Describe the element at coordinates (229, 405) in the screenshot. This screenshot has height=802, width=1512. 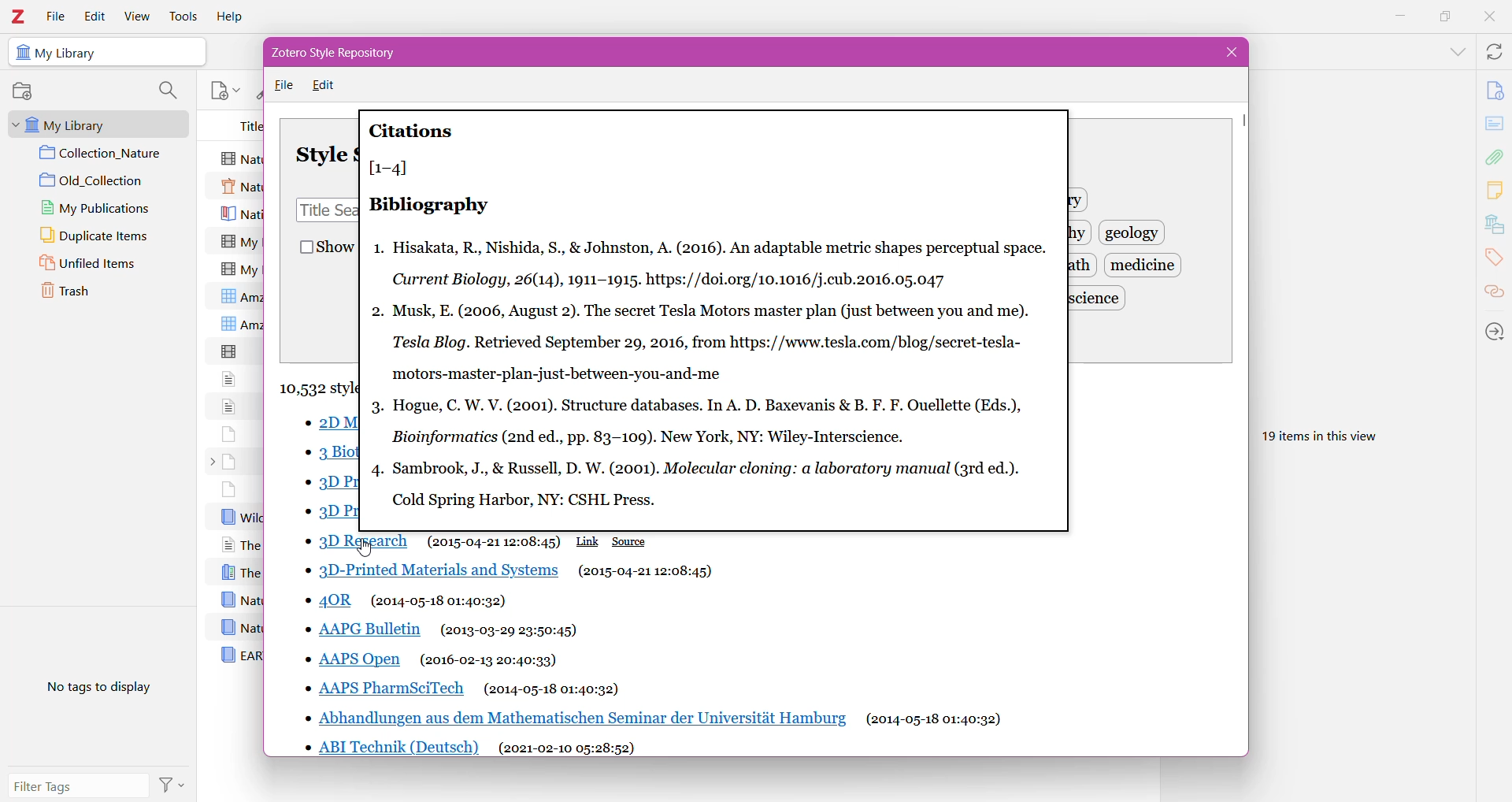
I see `file without title` at that location.